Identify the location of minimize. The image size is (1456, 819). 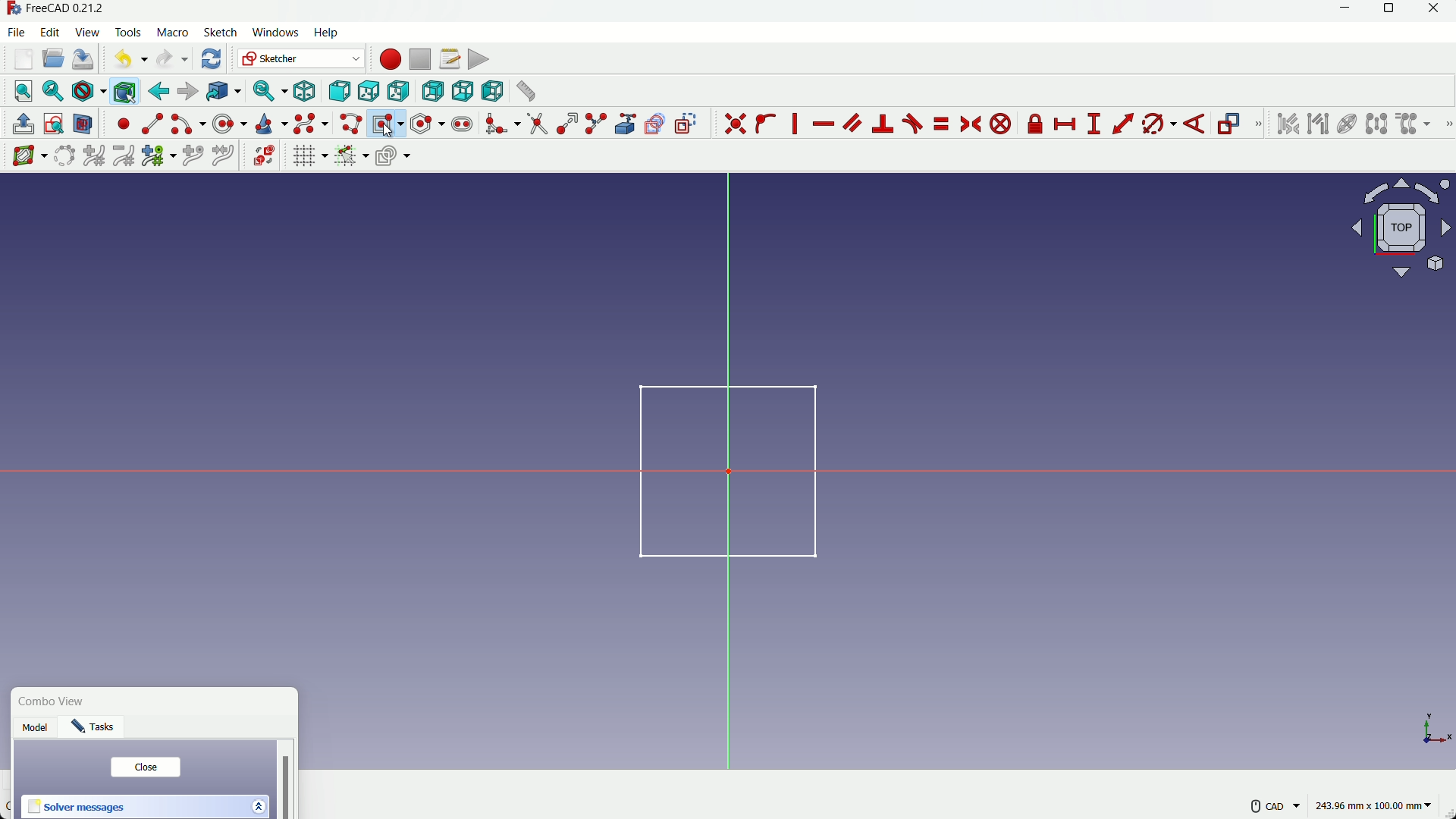
(1341, 11).